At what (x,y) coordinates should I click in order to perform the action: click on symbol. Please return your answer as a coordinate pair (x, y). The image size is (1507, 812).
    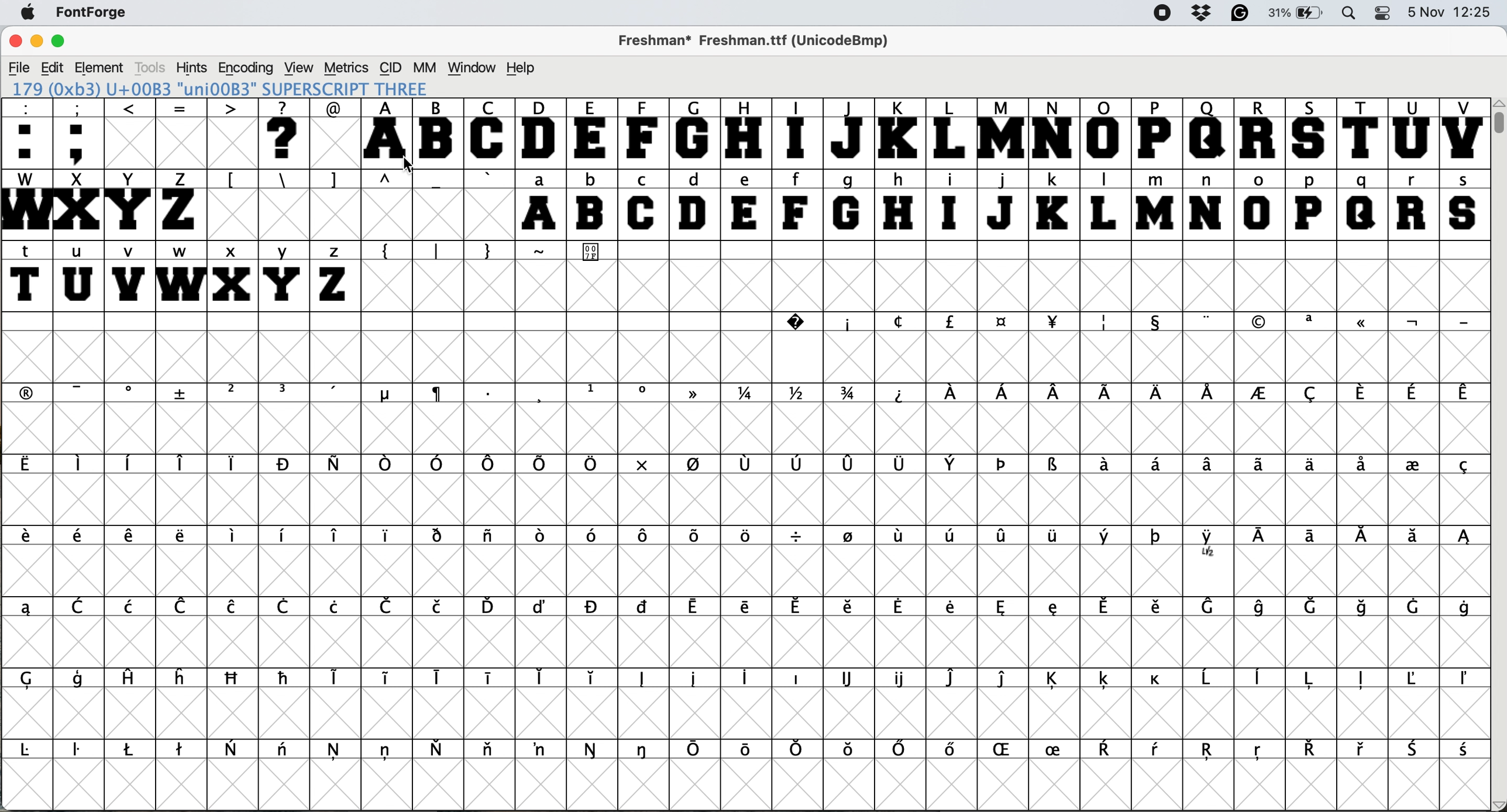
    Looking at the image, I should click on (440, 606).